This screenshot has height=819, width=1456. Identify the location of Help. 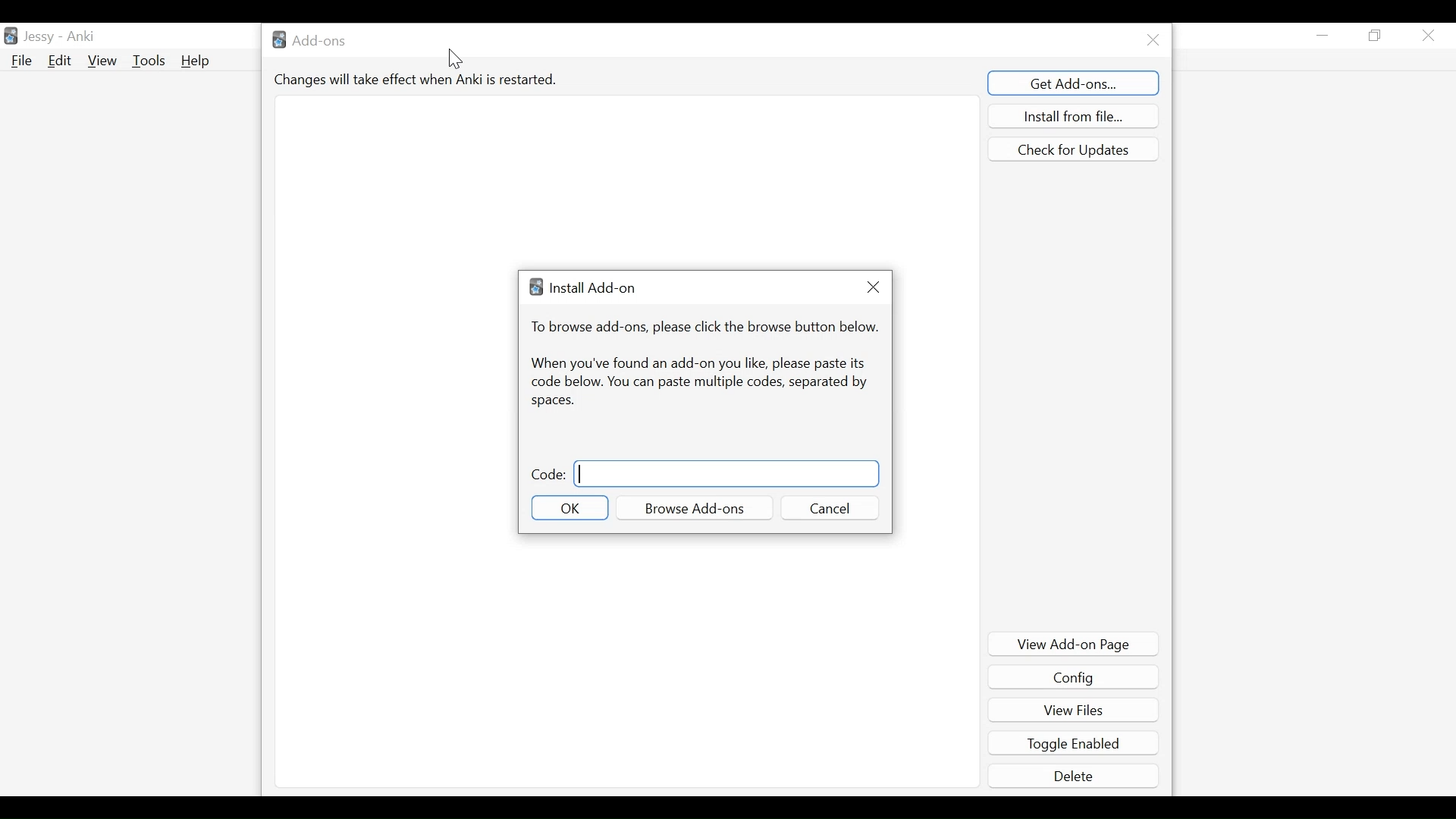
(199, 62).